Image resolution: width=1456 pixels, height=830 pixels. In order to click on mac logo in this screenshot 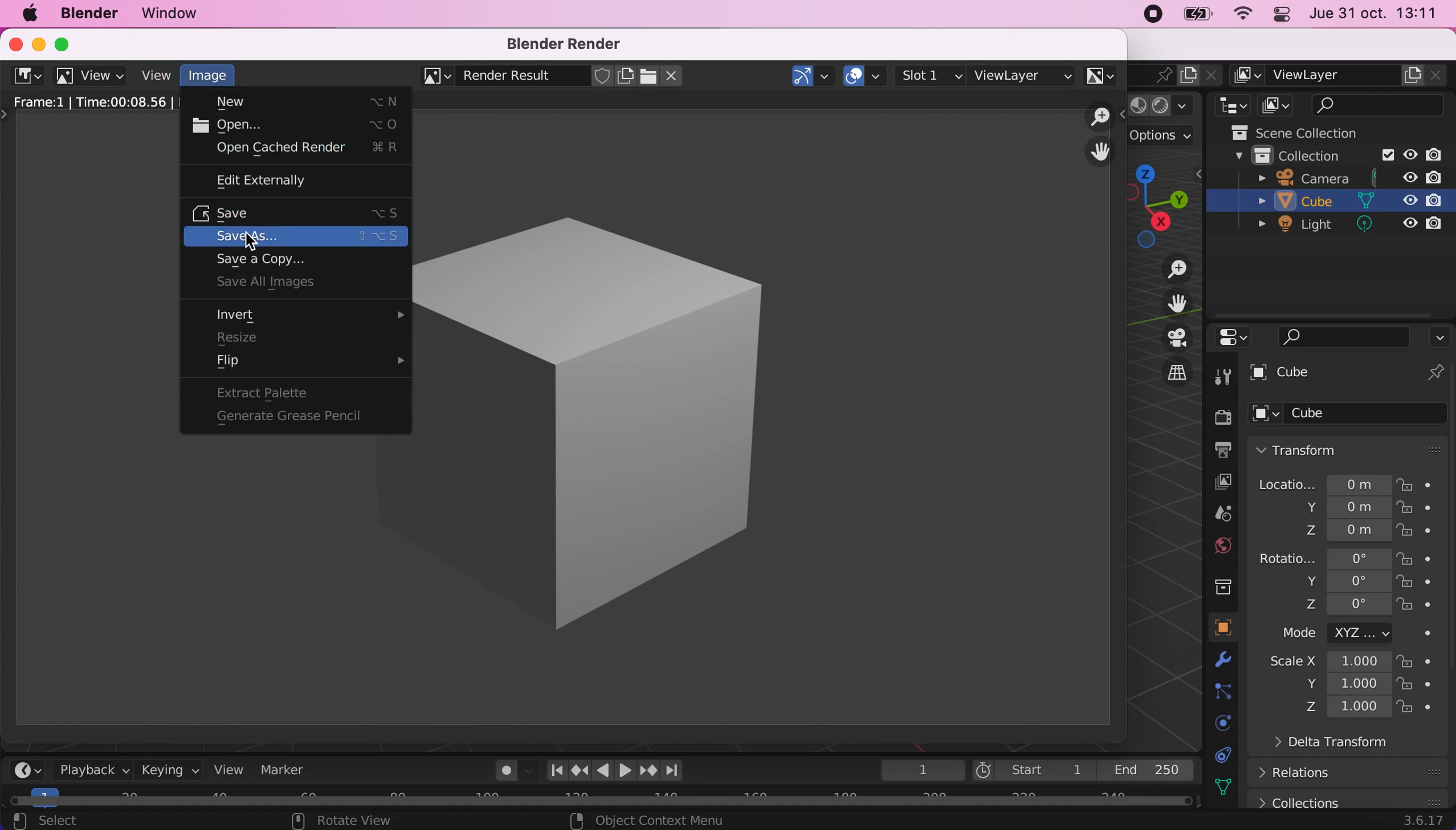, I will do `click(26, 14)`.